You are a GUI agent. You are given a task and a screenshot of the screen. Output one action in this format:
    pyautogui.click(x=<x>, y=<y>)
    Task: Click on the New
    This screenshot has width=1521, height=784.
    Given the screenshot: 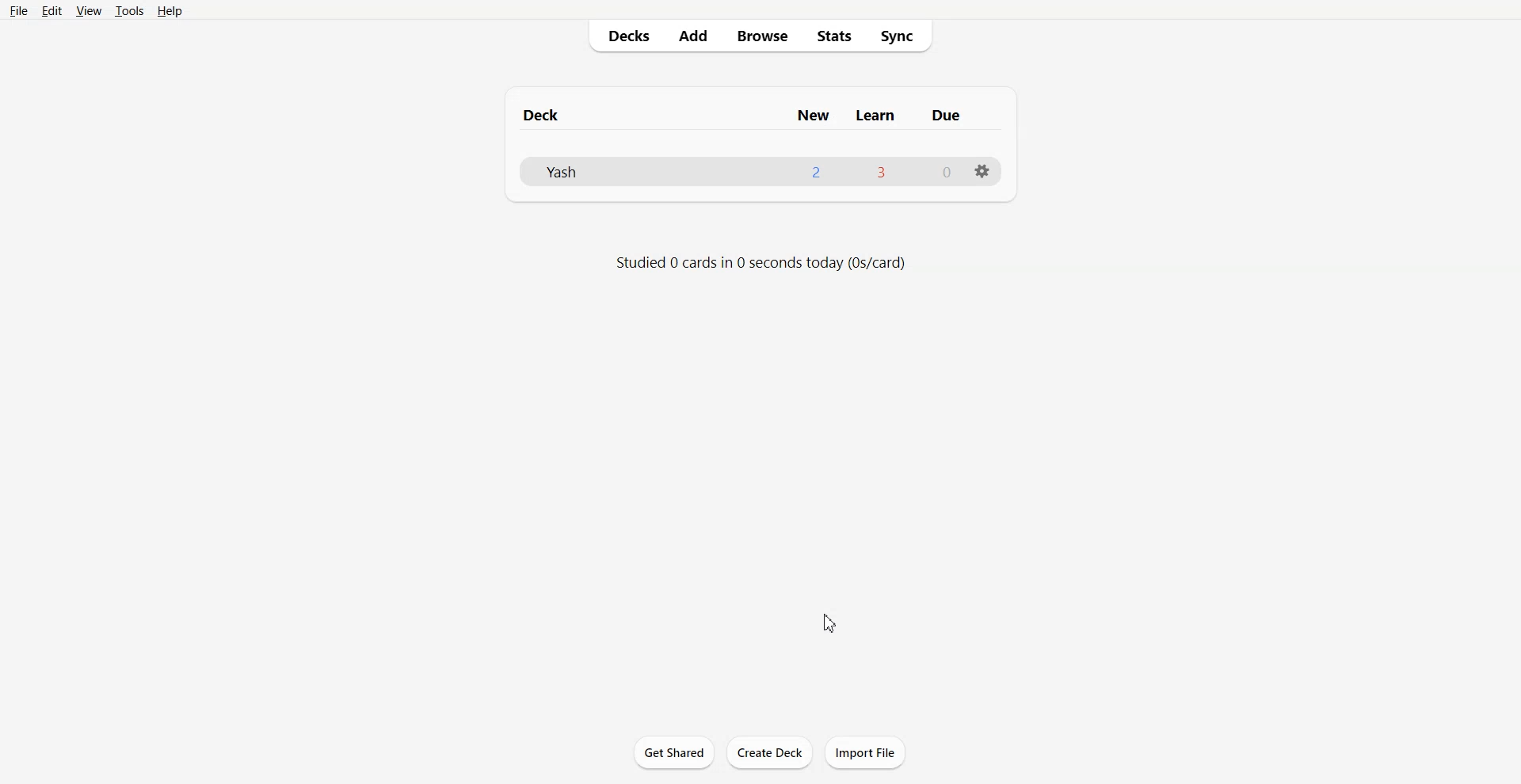 What is the action you would take?
    pyautogui.click(x=813, y=115)
    